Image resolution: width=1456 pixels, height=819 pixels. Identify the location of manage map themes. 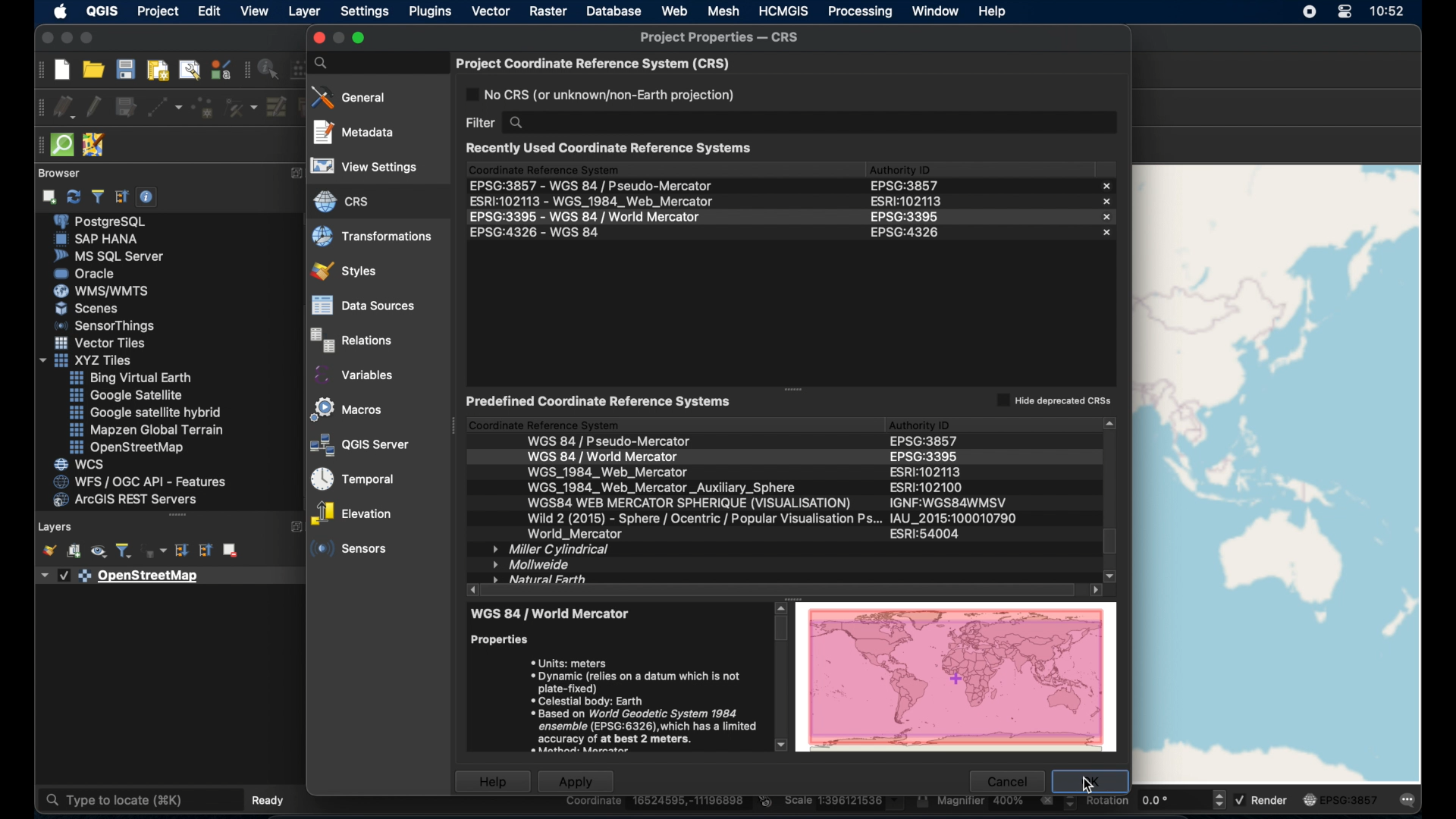
(98, 551).